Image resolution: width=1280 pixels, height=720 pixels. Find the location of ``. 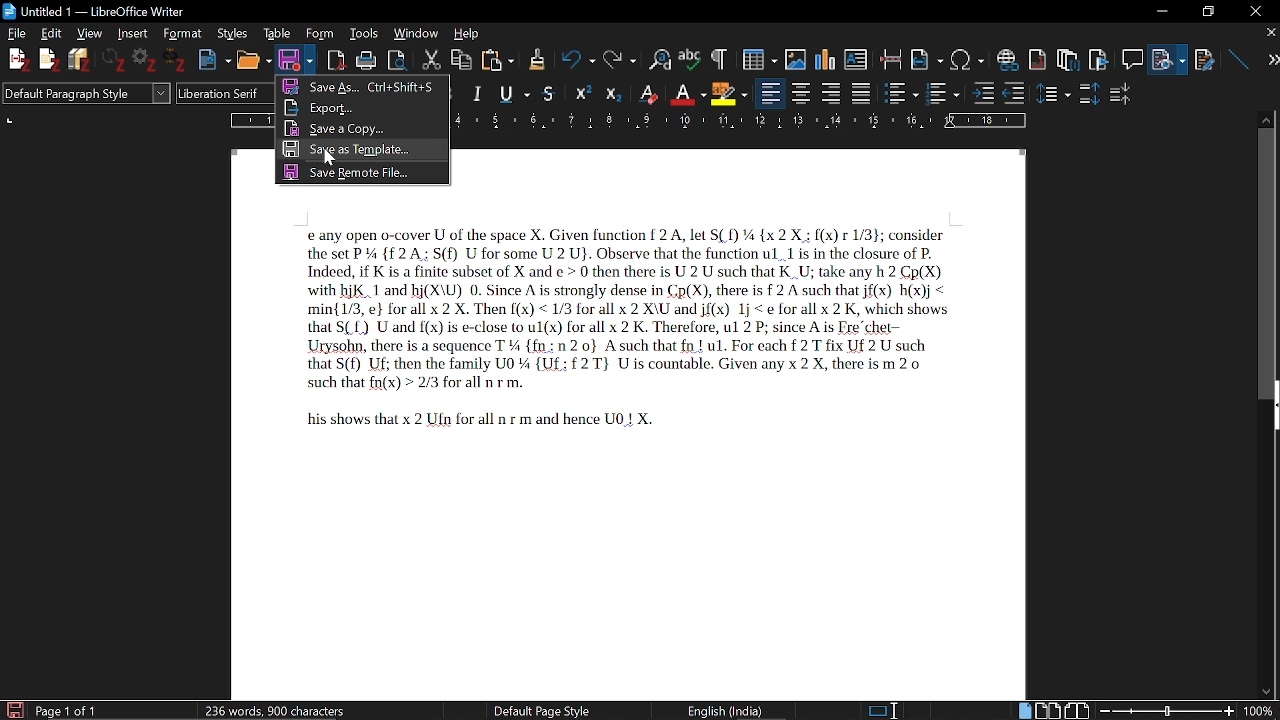

 is located at coordinates (613, 93).